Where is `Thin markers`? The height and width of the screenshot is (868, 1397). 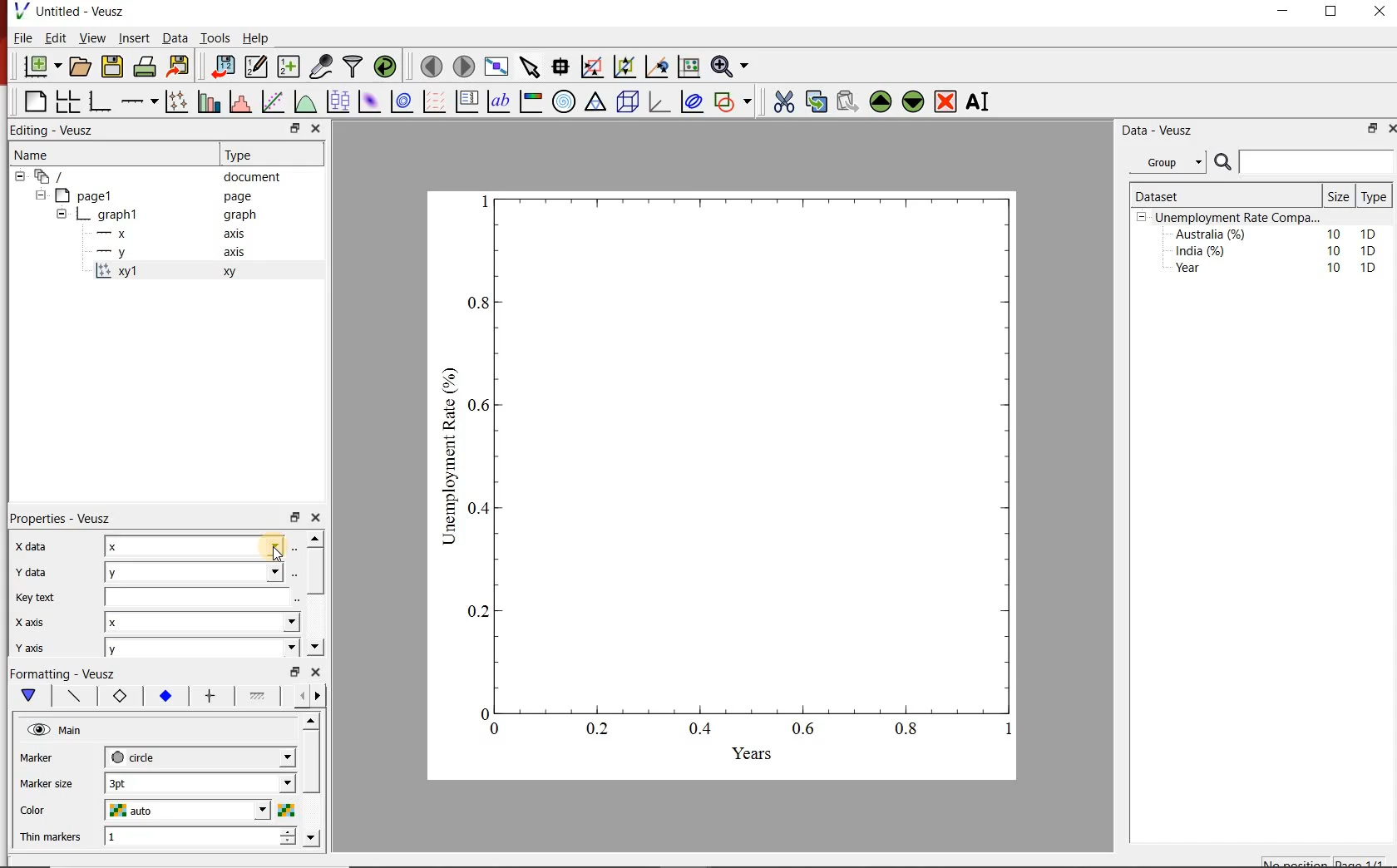
Thin markers is located at coordinates (52, 838).